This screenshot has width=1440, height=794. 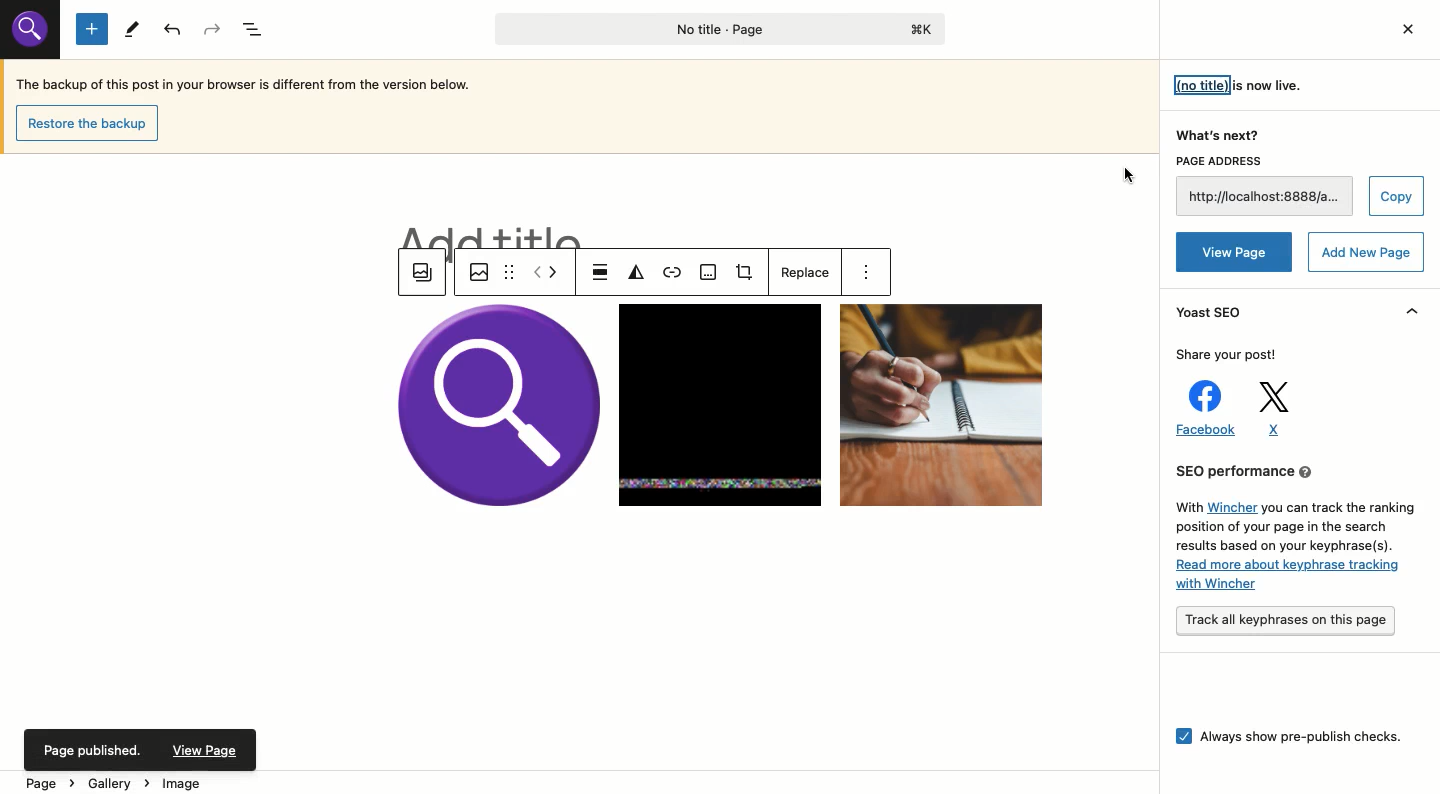 I want to click on Facebook, so click(x=1204, y=408).